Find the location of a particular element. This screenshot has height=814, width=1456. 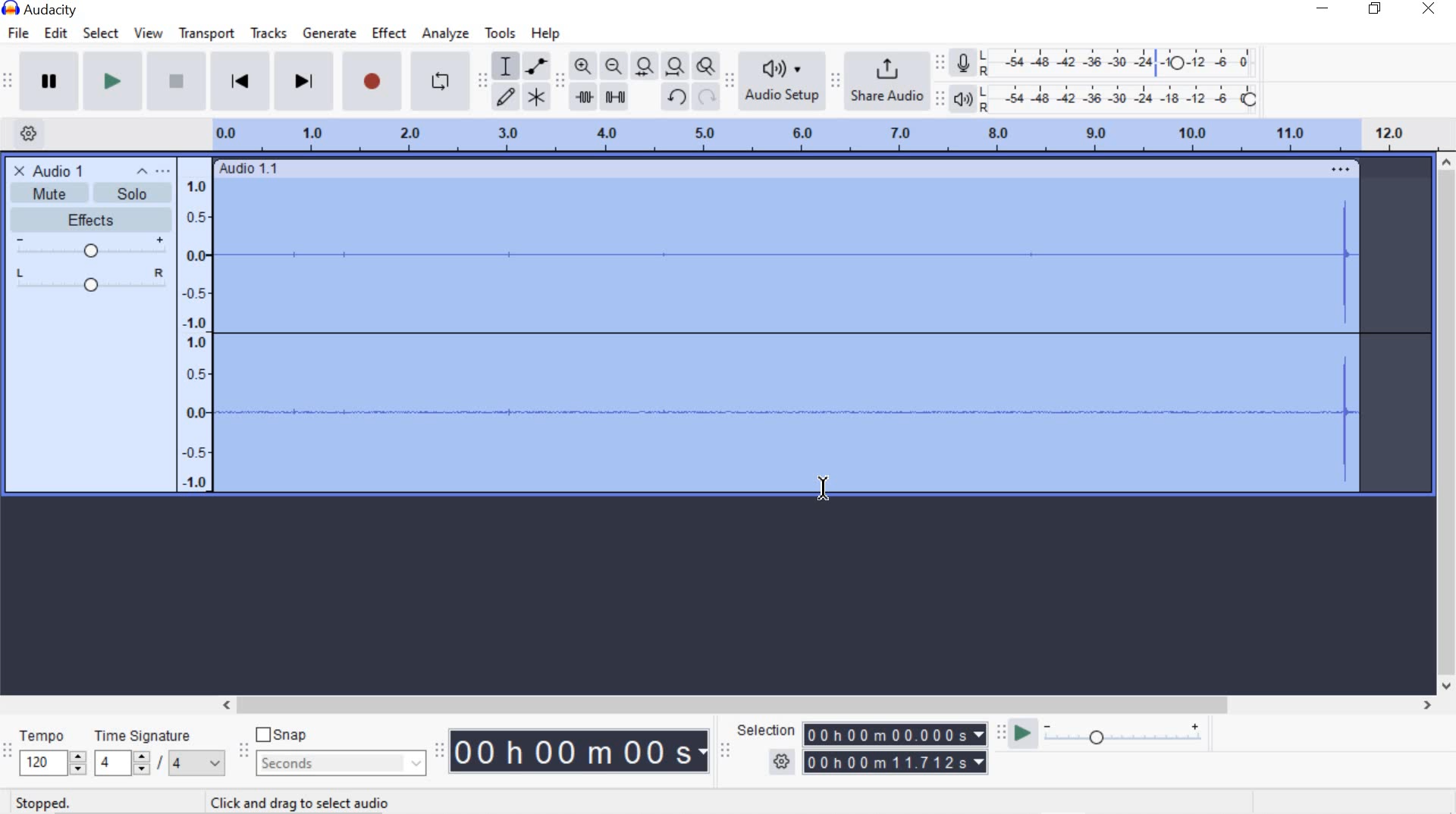

Enable Looping is located at coordinates (440, 83).